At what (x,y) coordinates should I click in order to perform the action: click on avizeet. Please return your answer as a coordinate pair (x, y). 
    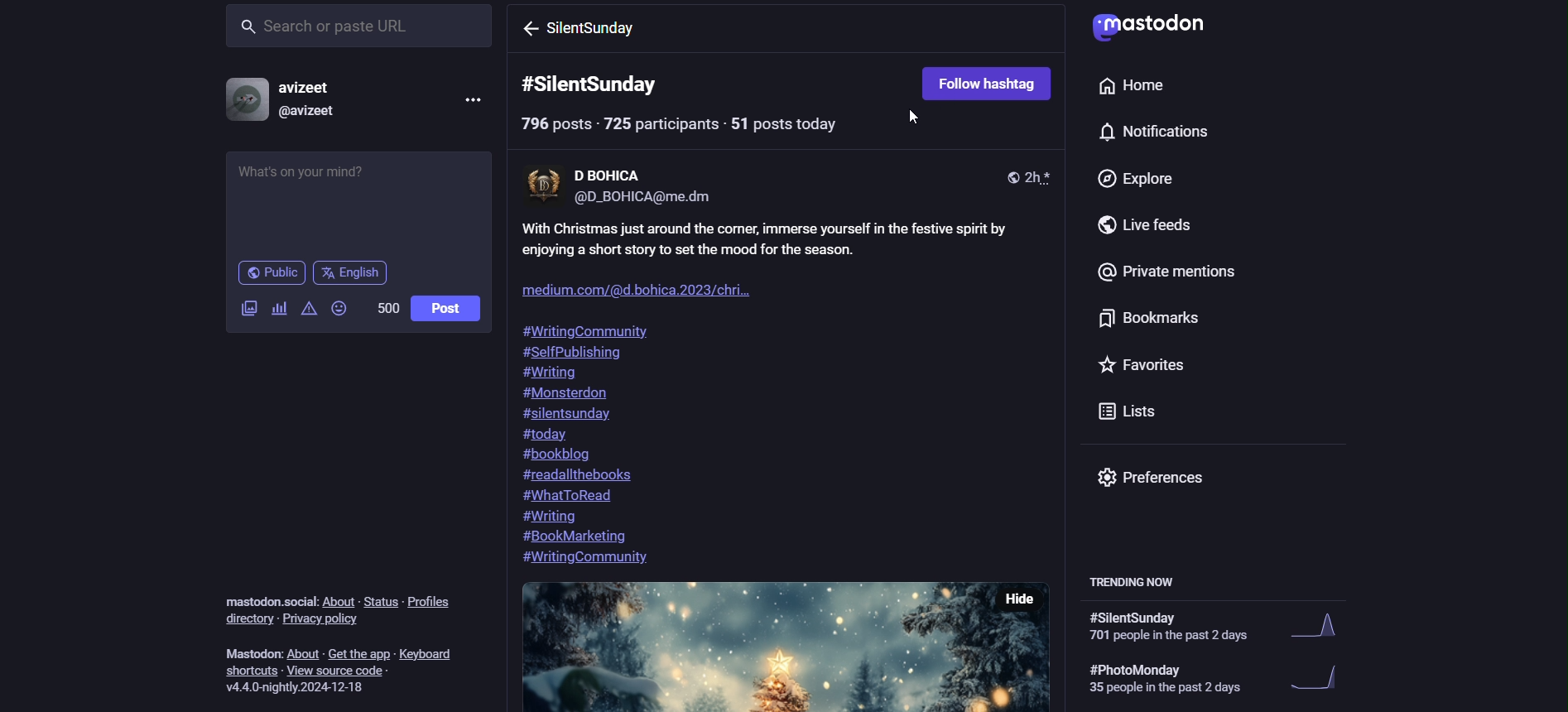
    Looking at the image, I should click on (317, 88).